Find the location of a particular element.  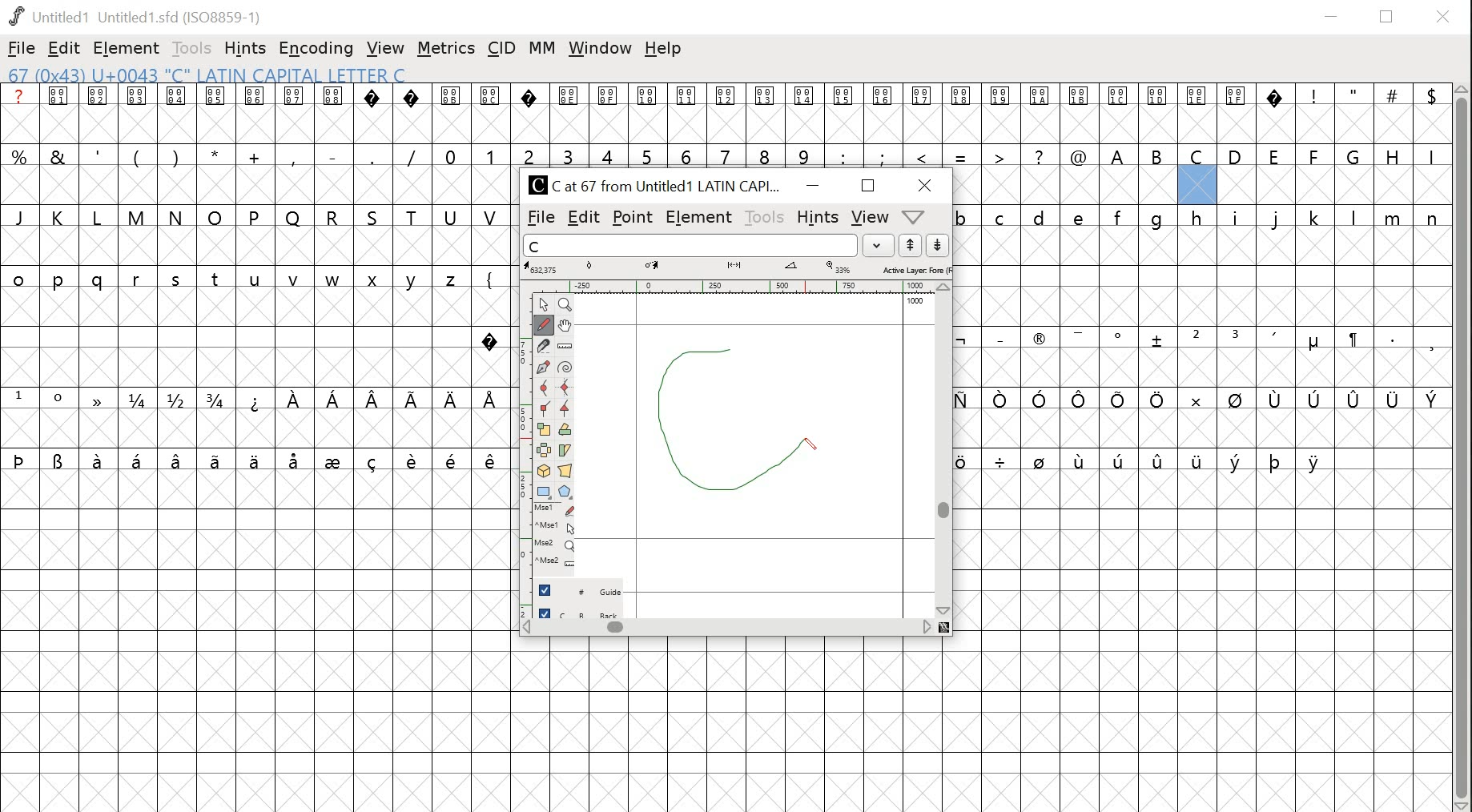

67 (0x43) U+0043 "C" LATIN CAPITAL LETTER C is located at coordinates (225, 74).